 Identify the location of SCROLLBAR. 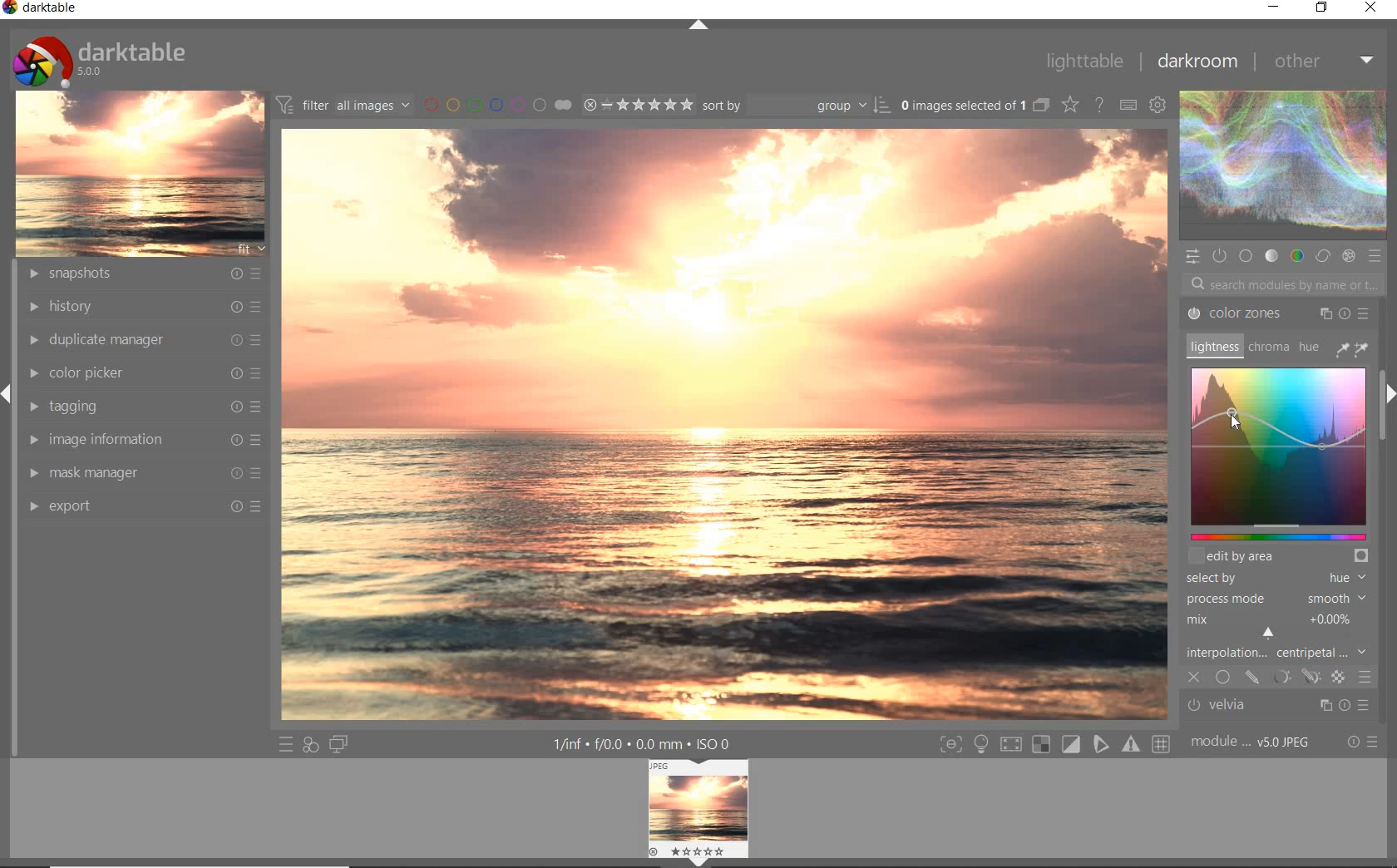
(1385, 338).